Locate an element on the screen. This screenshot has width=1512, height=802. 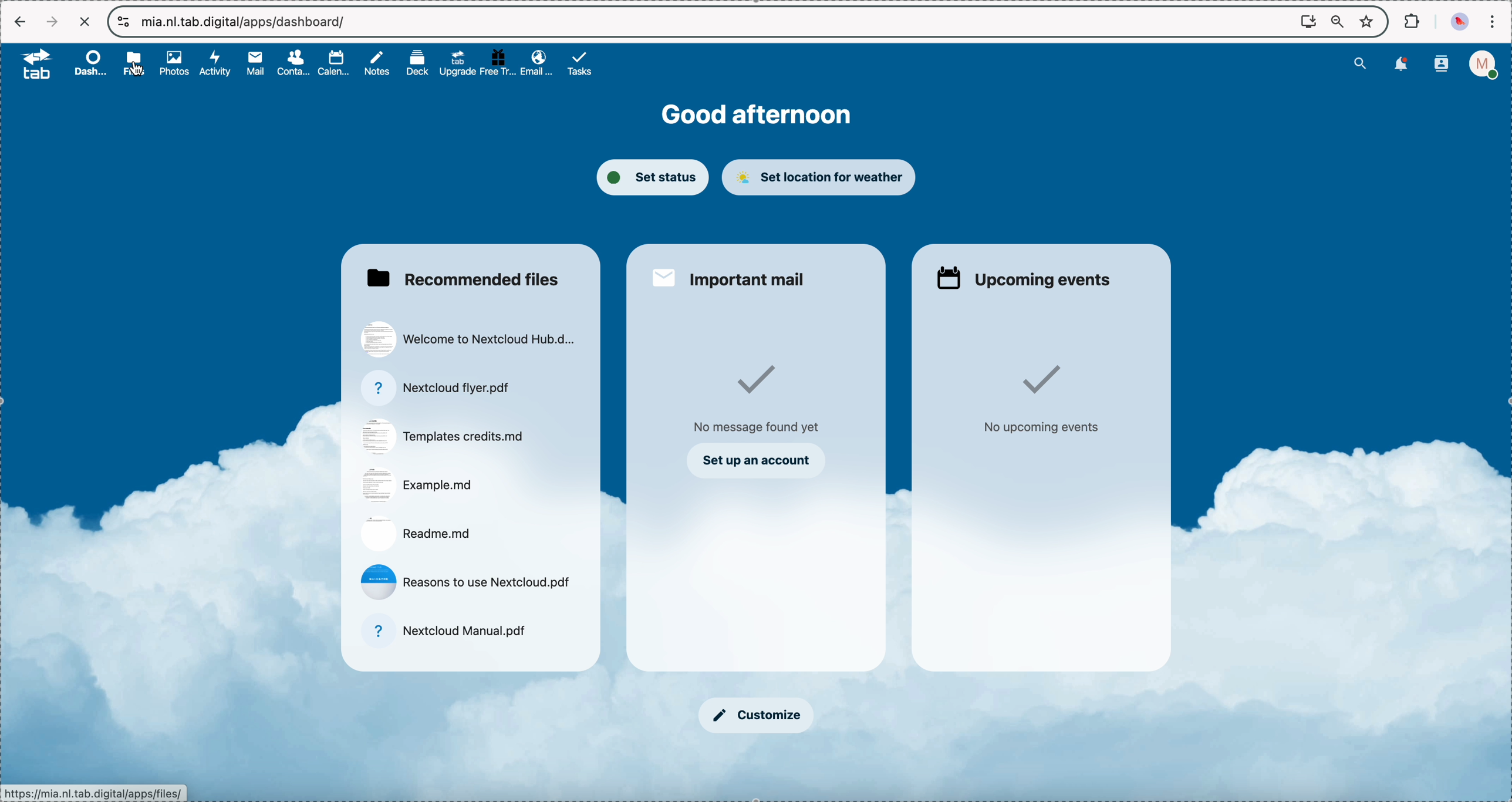
dashboard is located at coordinates (90, 63).